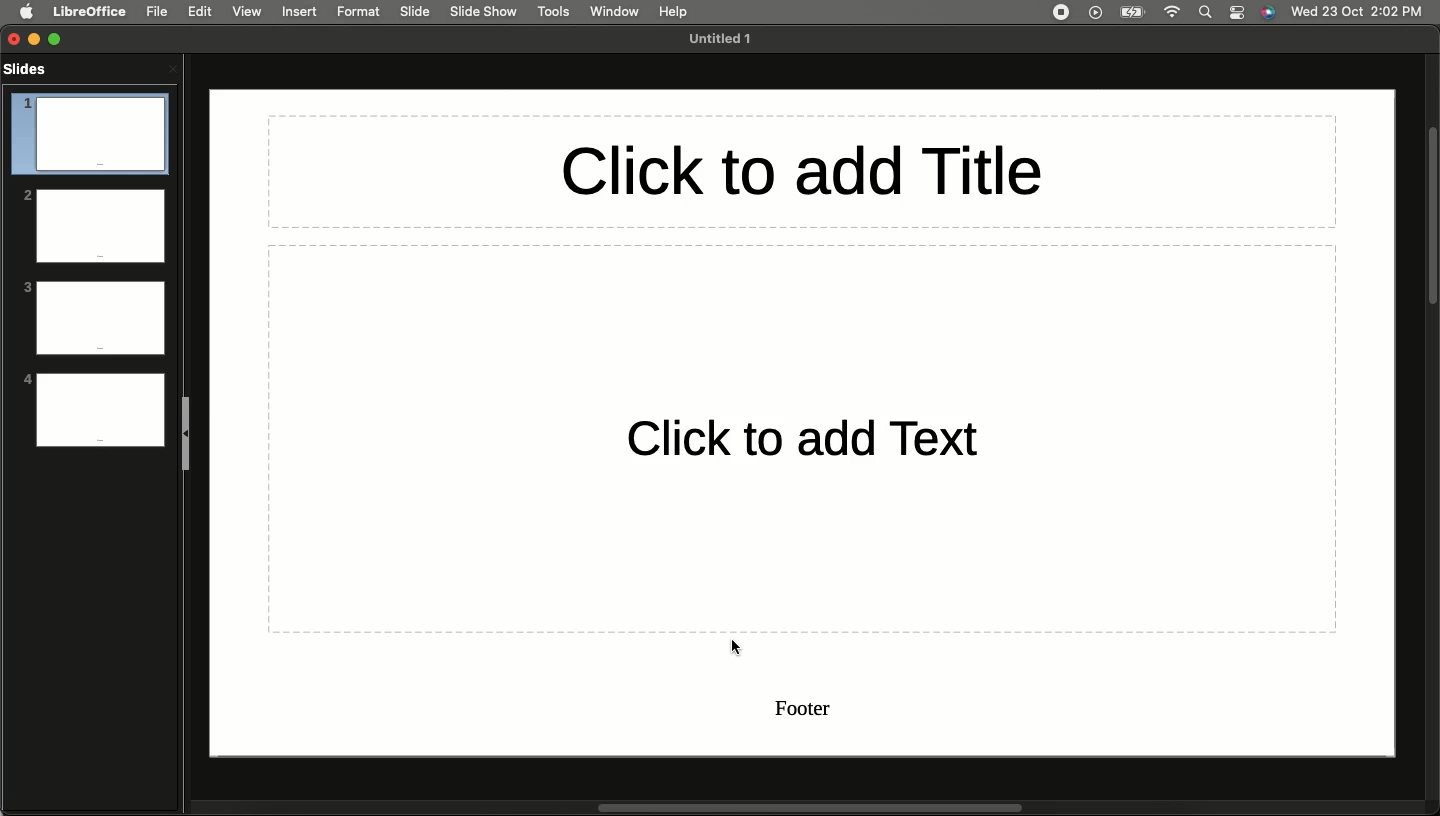 Image resolution: width=1440 pixels, height=816 pixels. I want to click on 2, so click(93, 213).